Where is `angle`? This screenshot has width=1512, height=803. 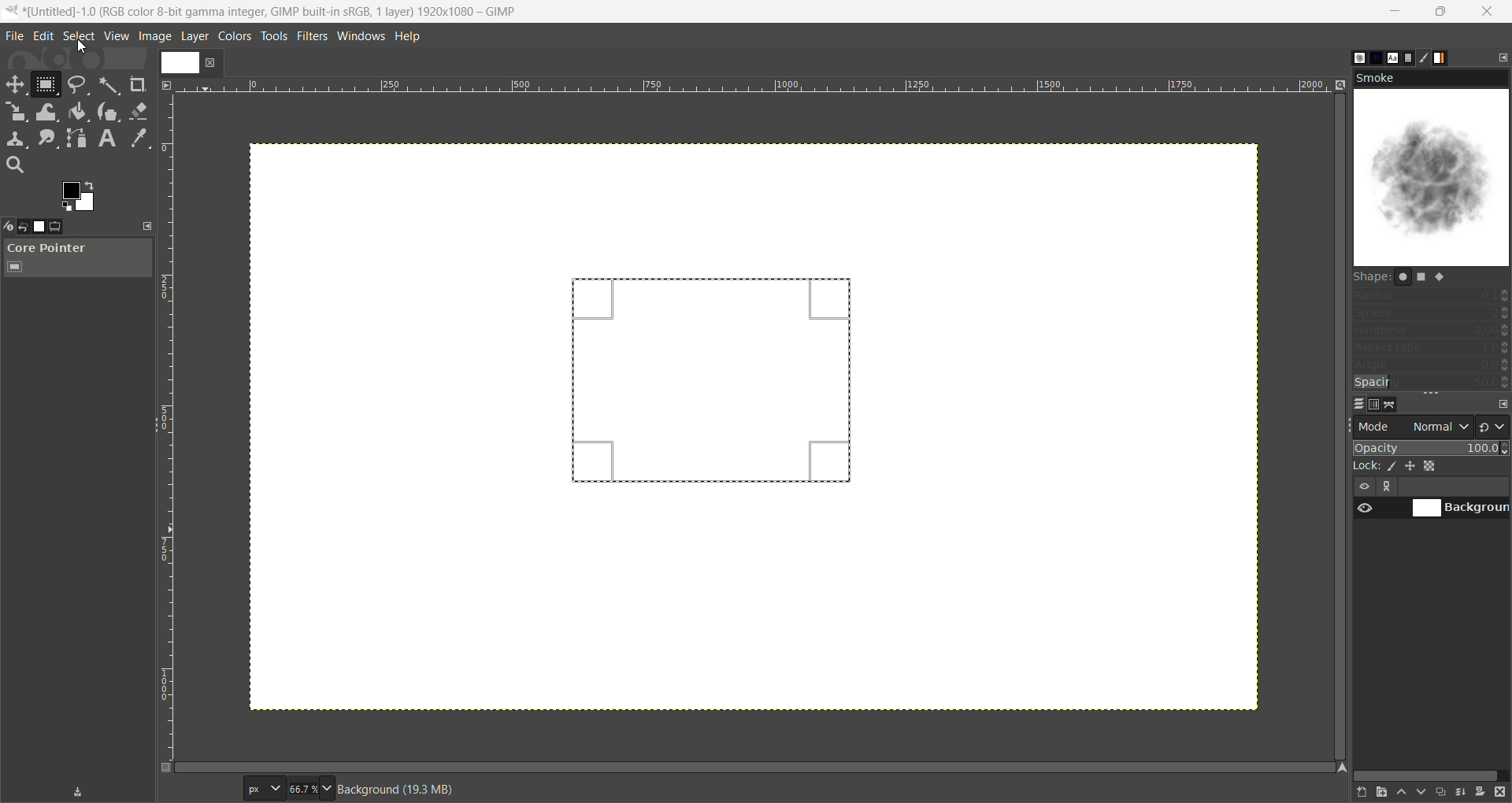
angle is located at coordinates (1432, 367).